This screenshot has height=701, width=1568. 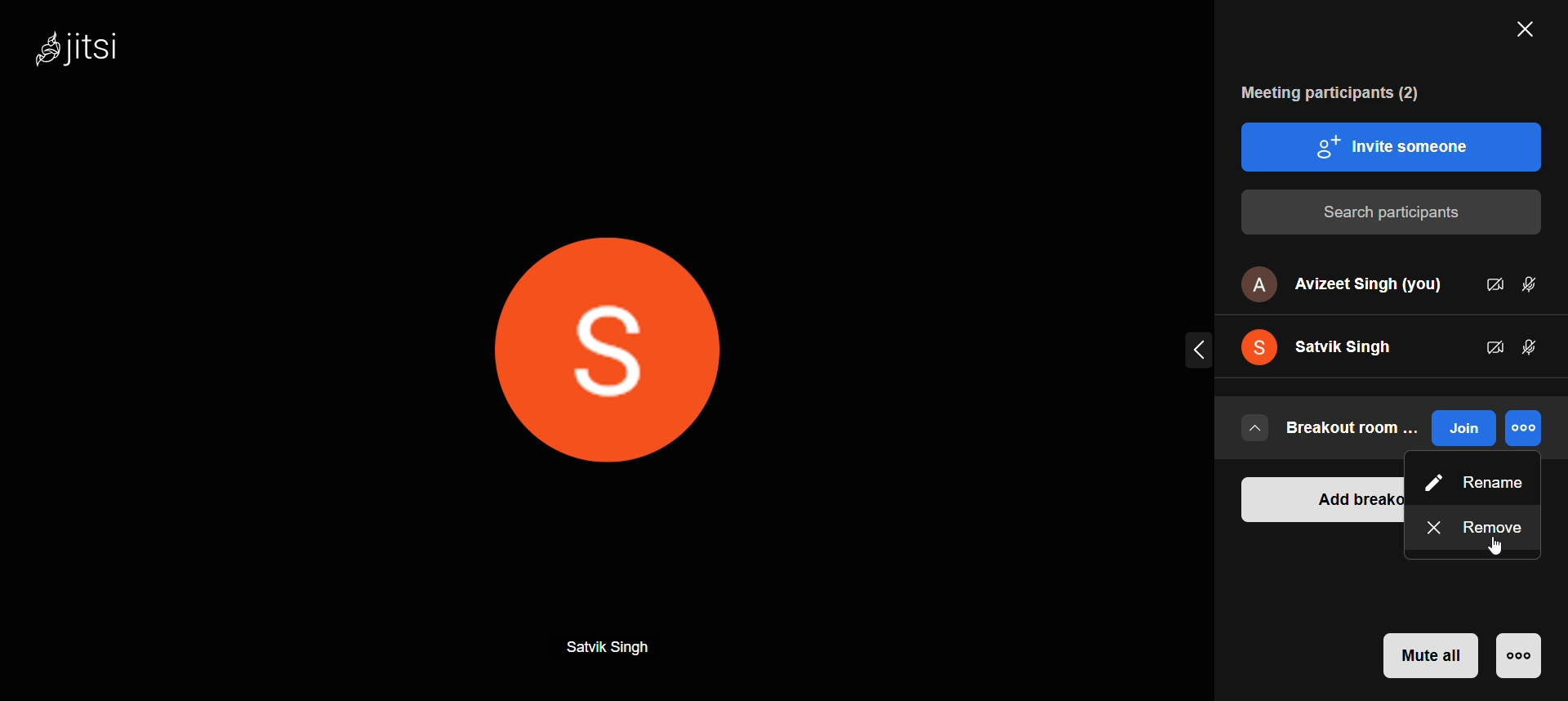 I want to click on expand, so click(x=1195, y=349).